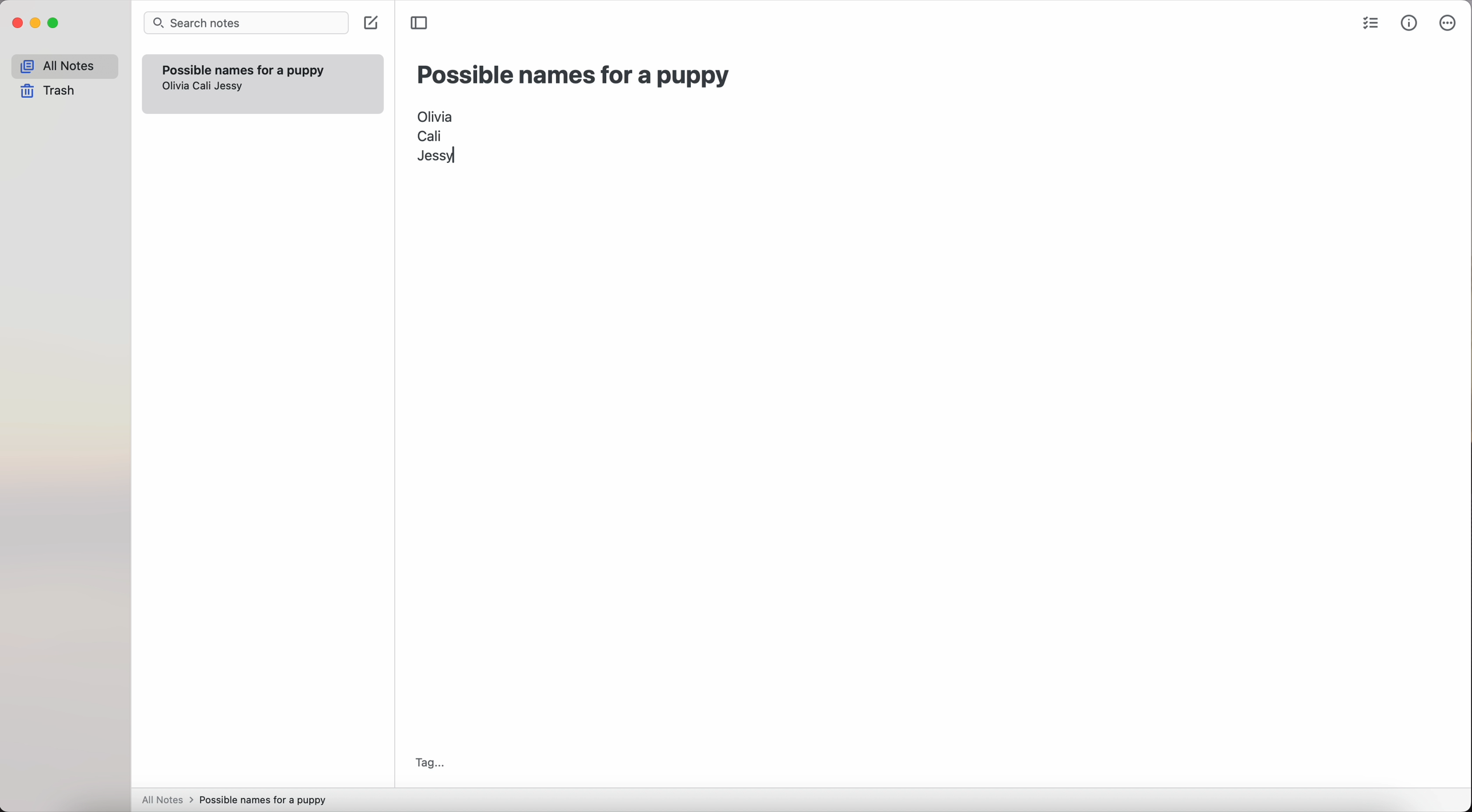  I want to click on possible names for a puppy, so click(574, 75).